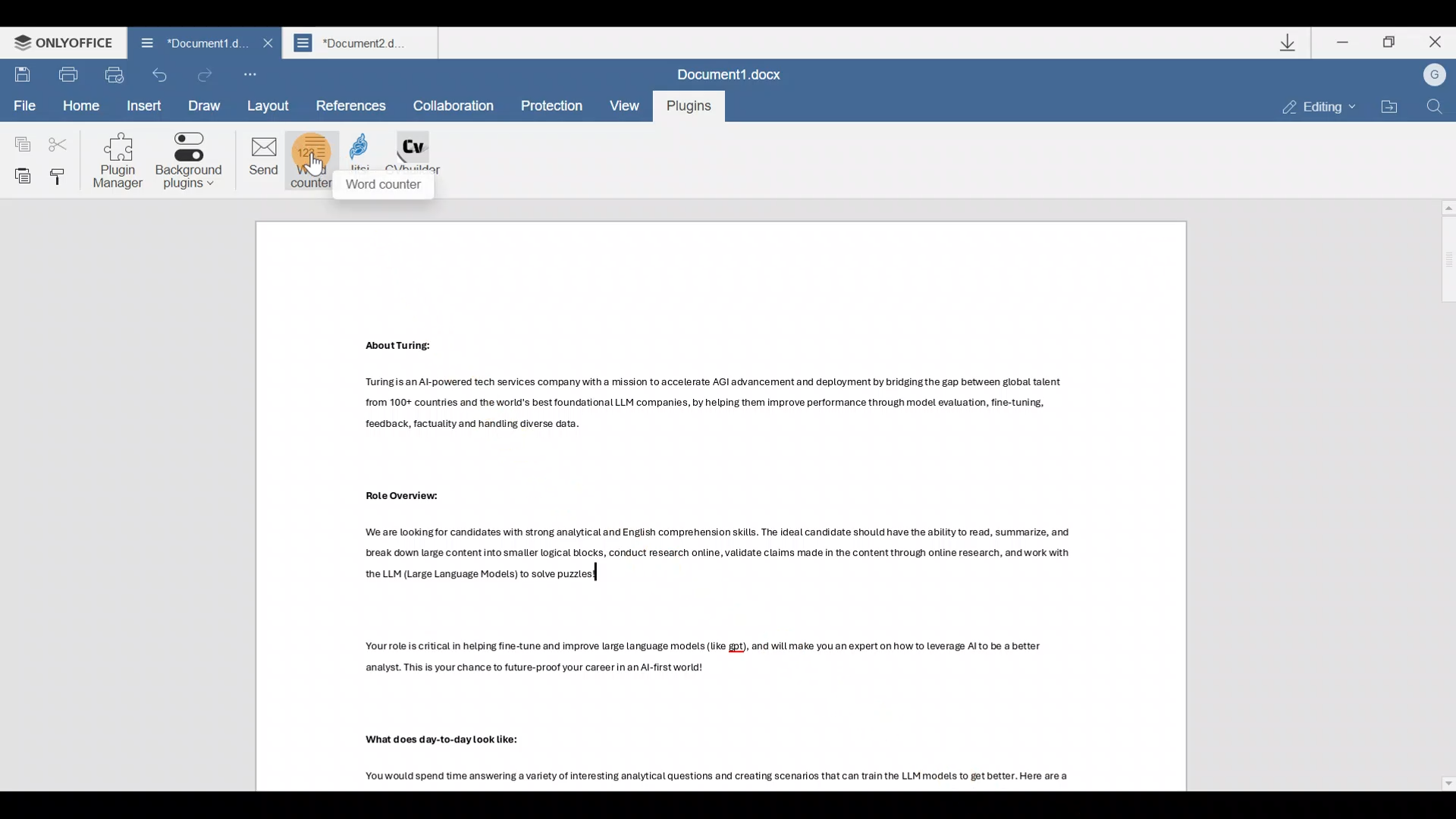  What do you see at coordinates (68, 76) in the screenshot?
I see `Print file` at bounding box center [68, 76].